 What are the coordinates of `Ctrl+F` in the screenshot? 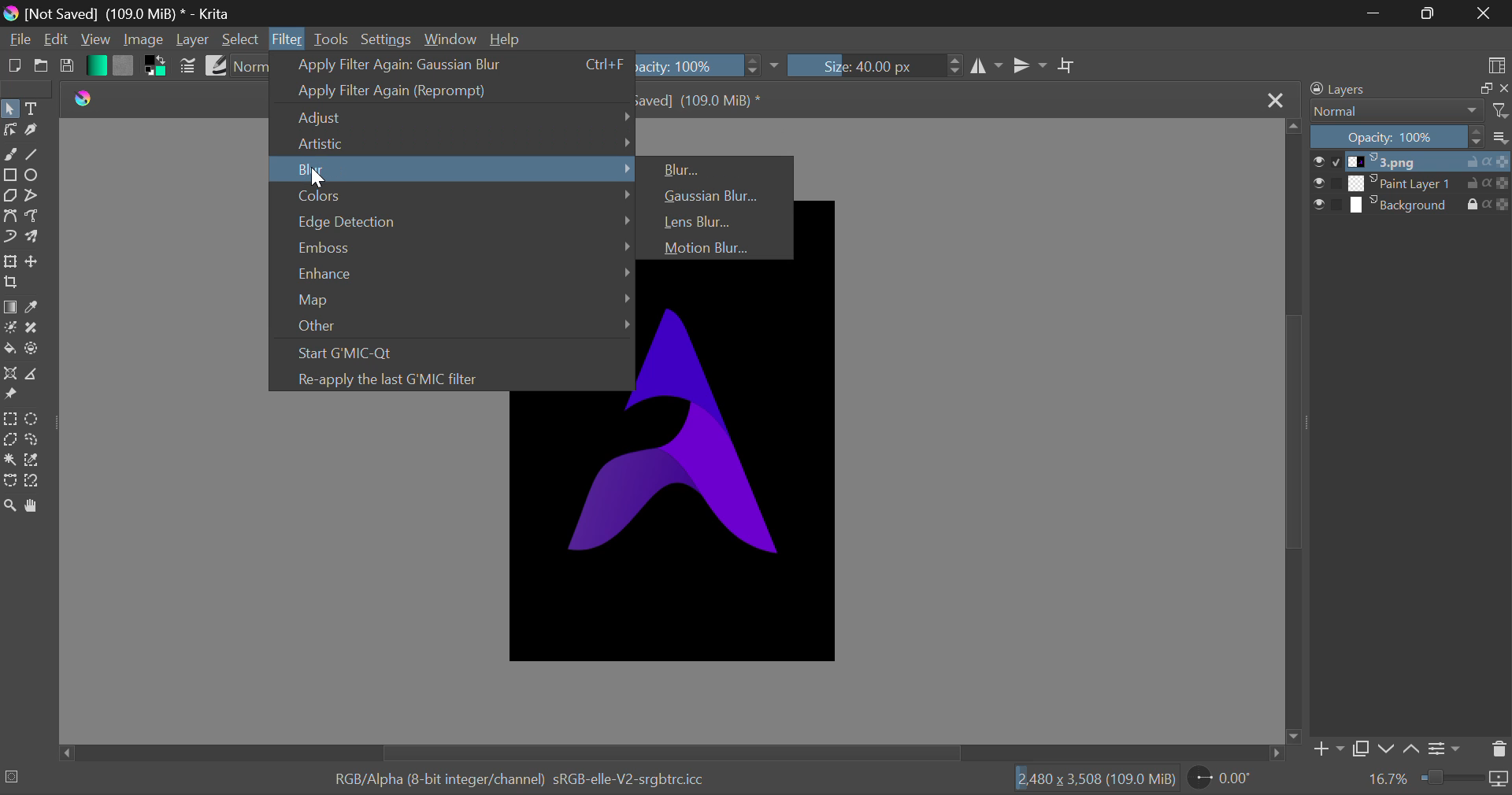 It's located at (603, 65).